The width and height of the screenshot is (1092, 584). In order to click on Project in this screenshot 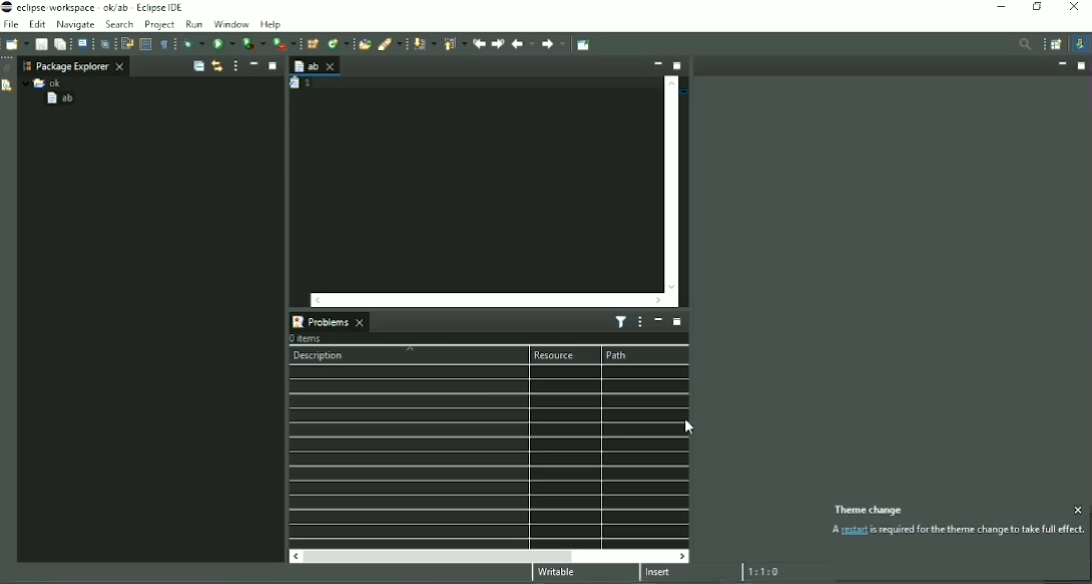, I will do `click(160, 26)`.